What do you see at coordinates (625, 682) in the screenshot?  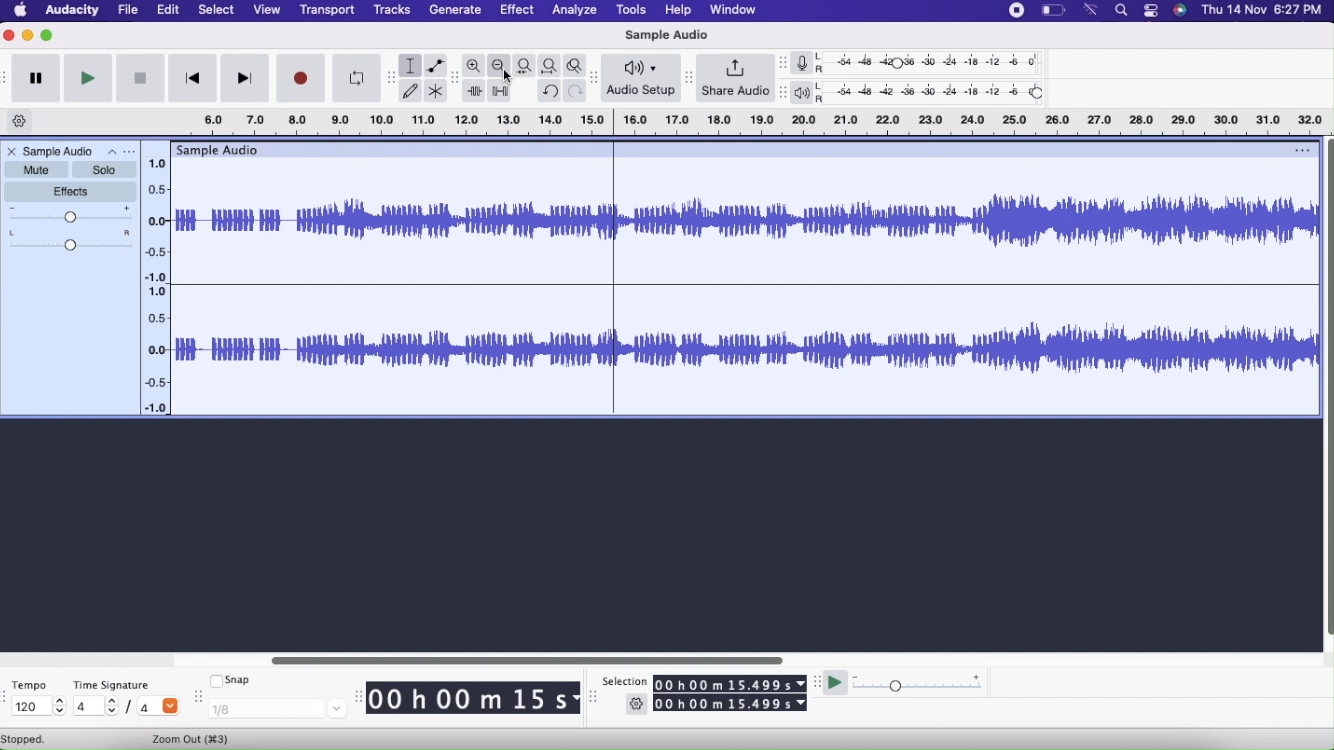 I see `Selection` at bounding box center [625, 682].